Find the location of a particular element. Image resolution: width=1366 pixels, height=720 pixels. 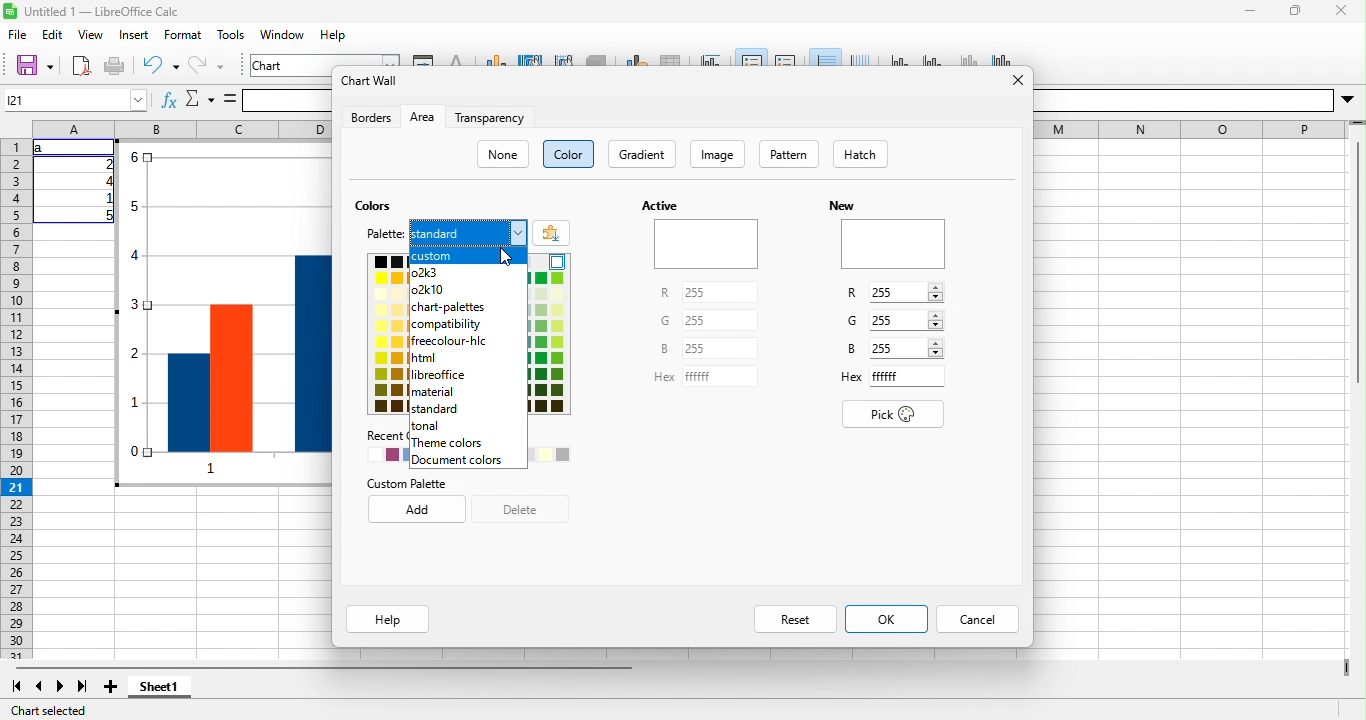

chart area is located at coordinates (531, 59).